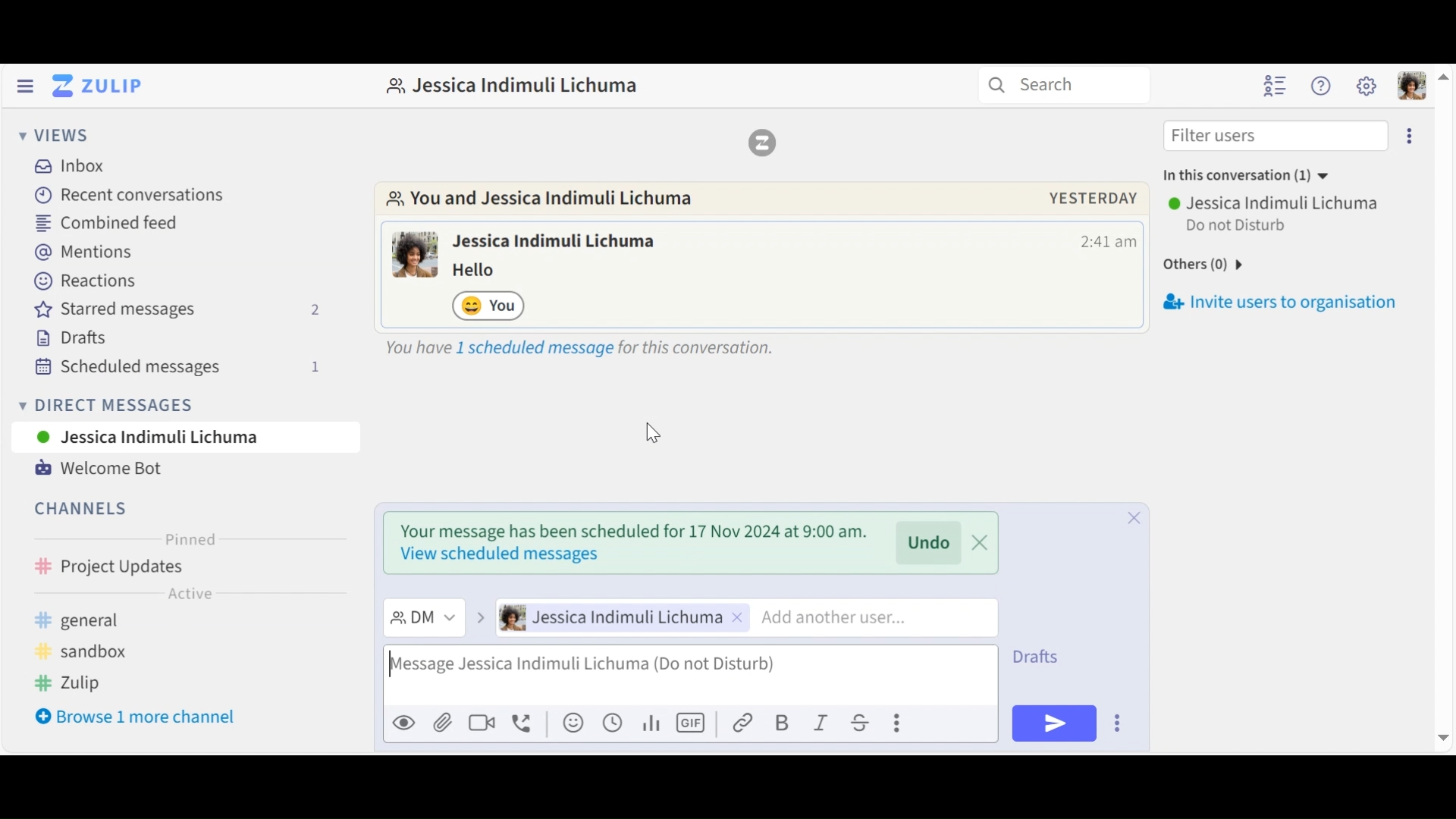  I want to click on Direct Messages, so click(180, 404).